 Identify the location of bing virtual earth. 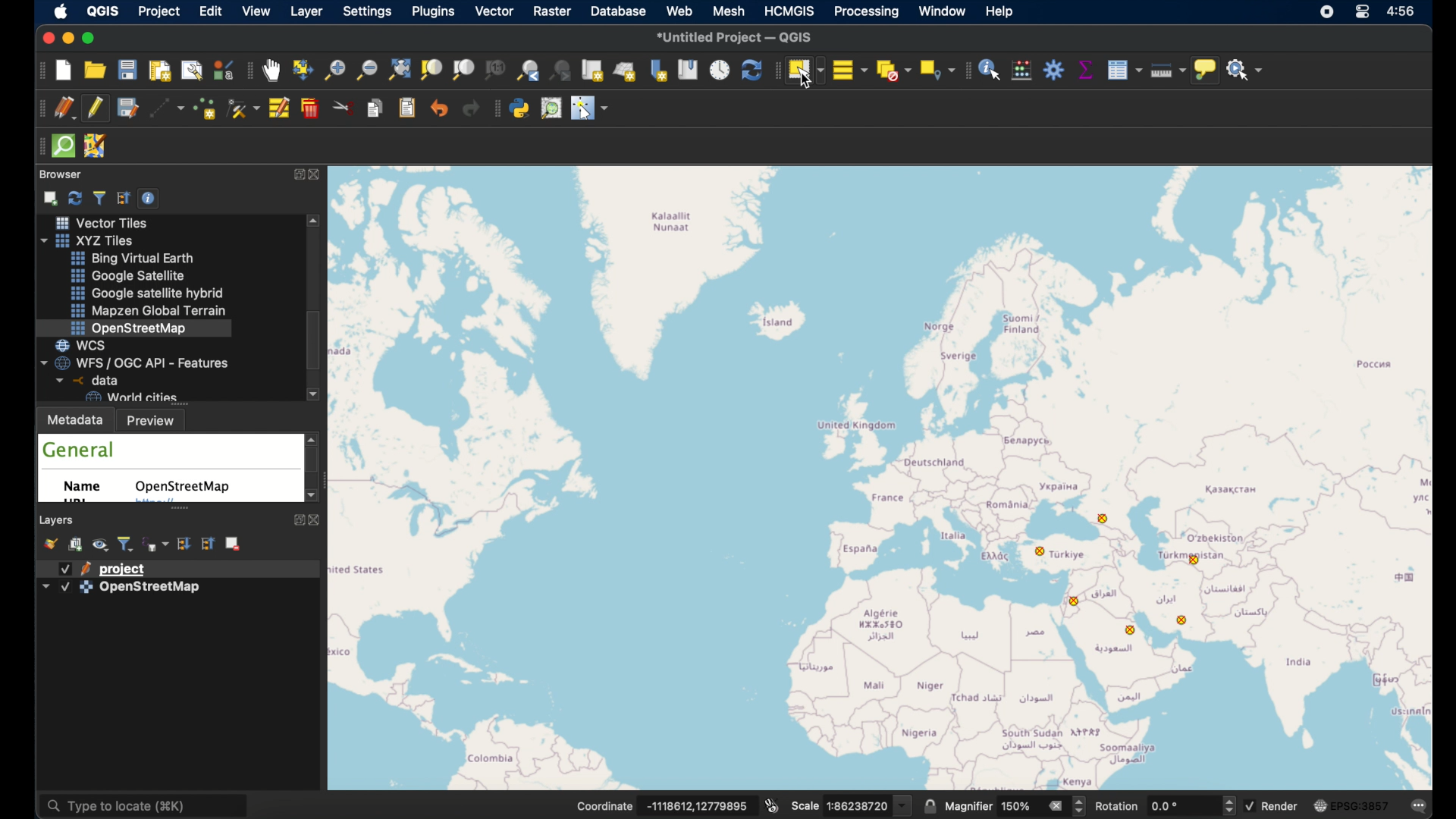
(136, 259).